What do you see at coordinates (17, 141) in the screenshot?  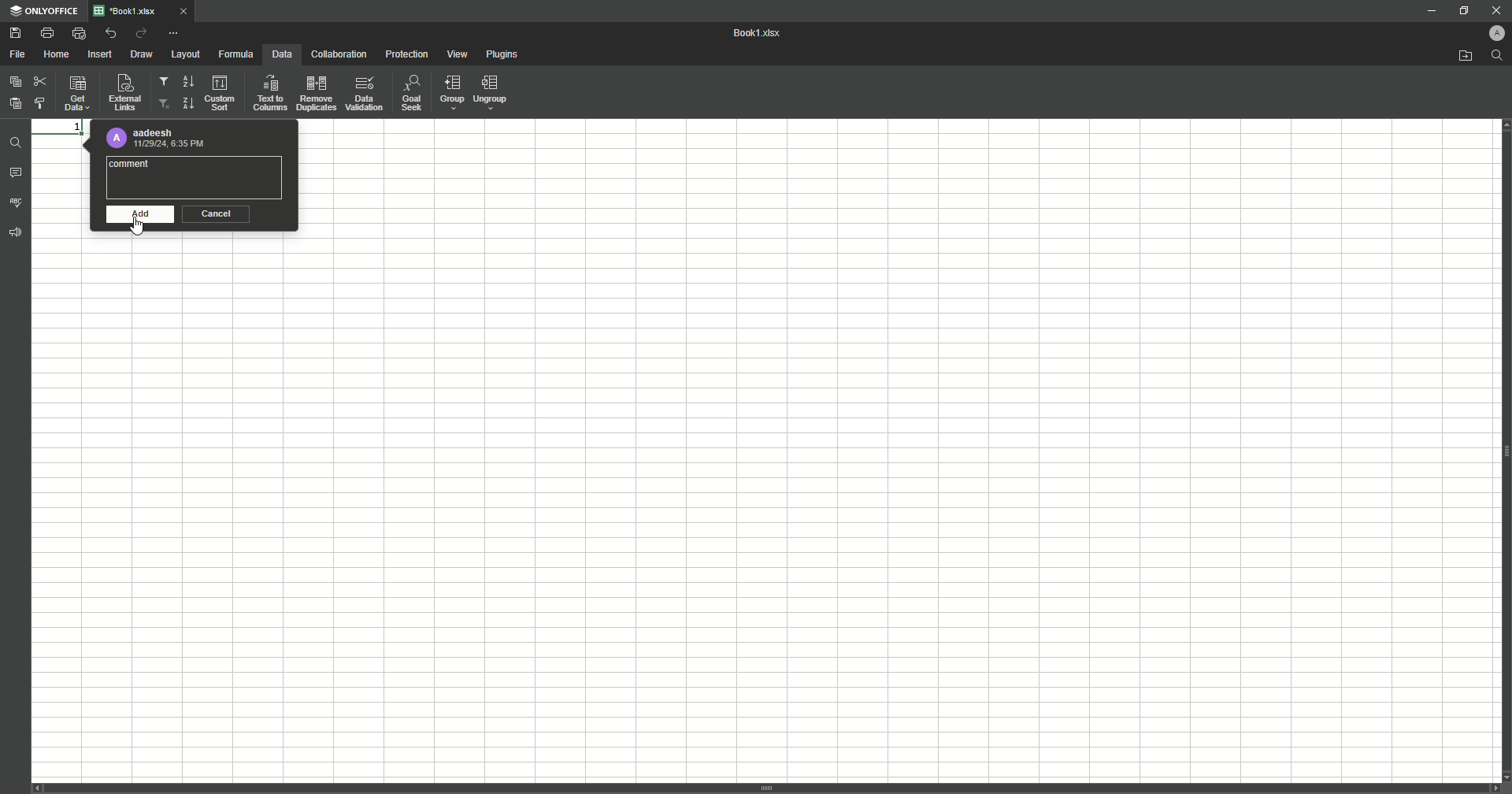 I see `Find` at bounding box center [17, 141].